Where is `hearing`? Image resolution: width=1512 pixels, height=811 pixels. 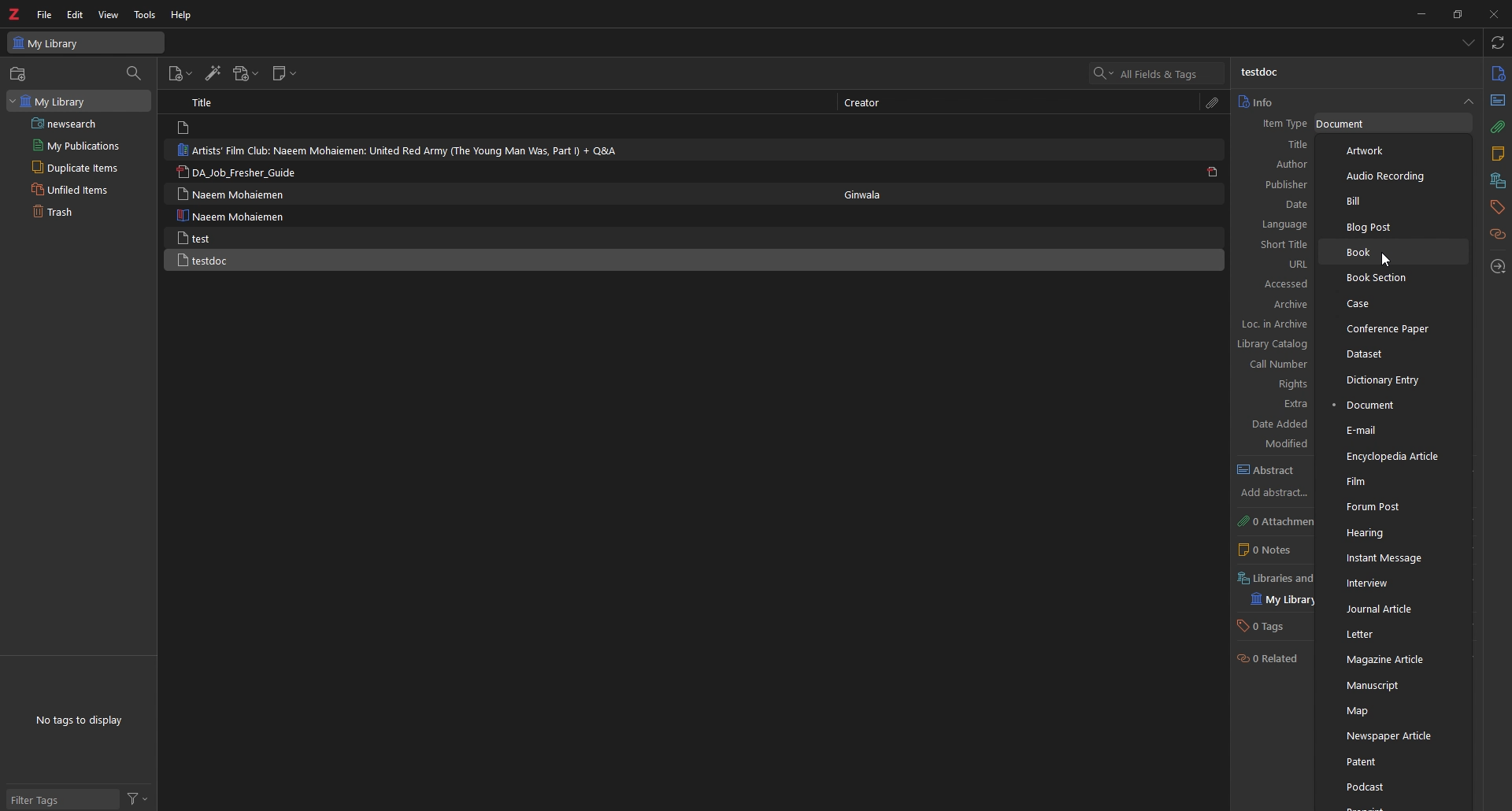 hearing is located at coordinates (1395, 533).